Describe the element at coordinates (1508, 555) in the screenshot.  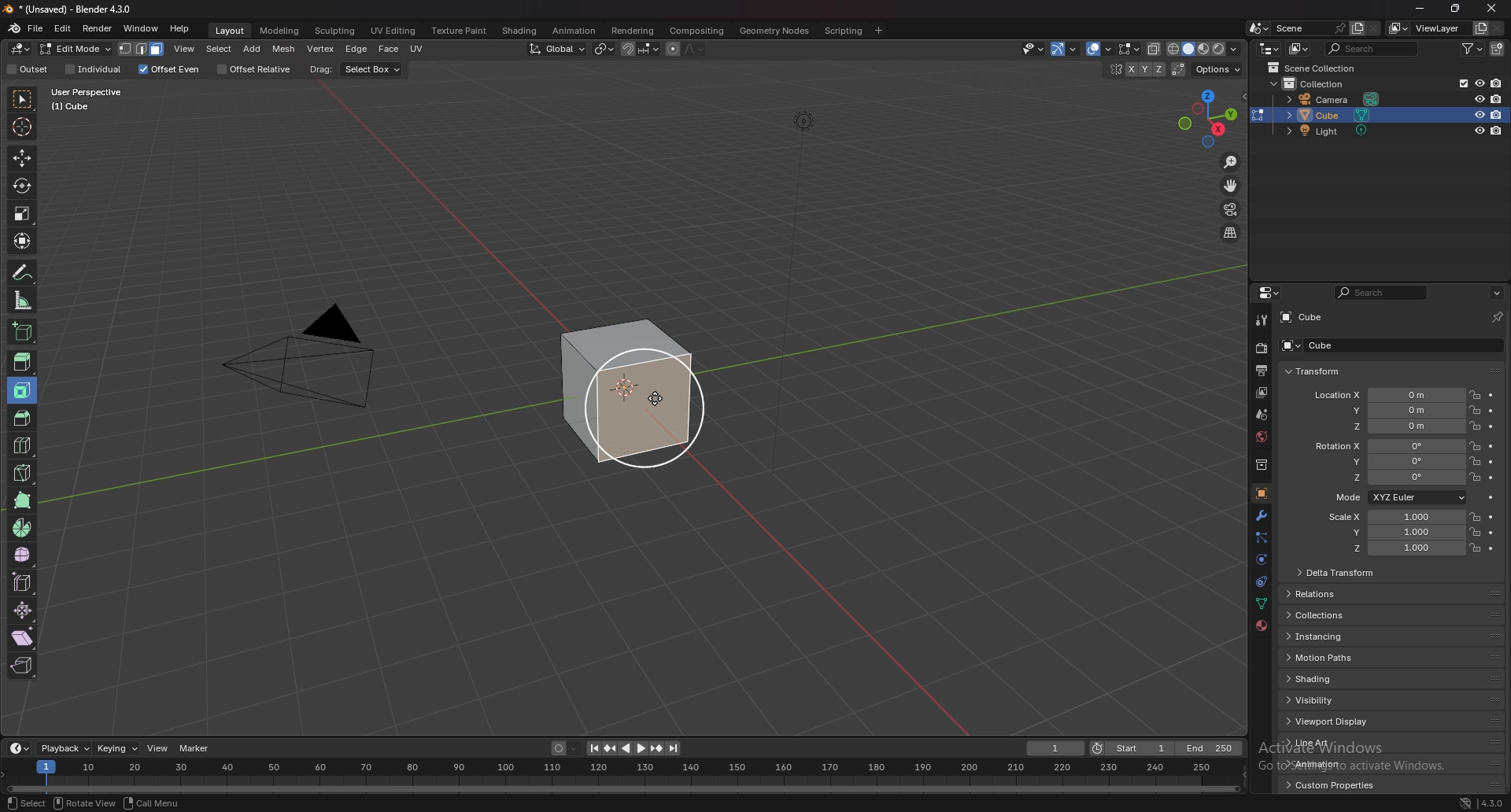
I see `scroll bar` at that location.